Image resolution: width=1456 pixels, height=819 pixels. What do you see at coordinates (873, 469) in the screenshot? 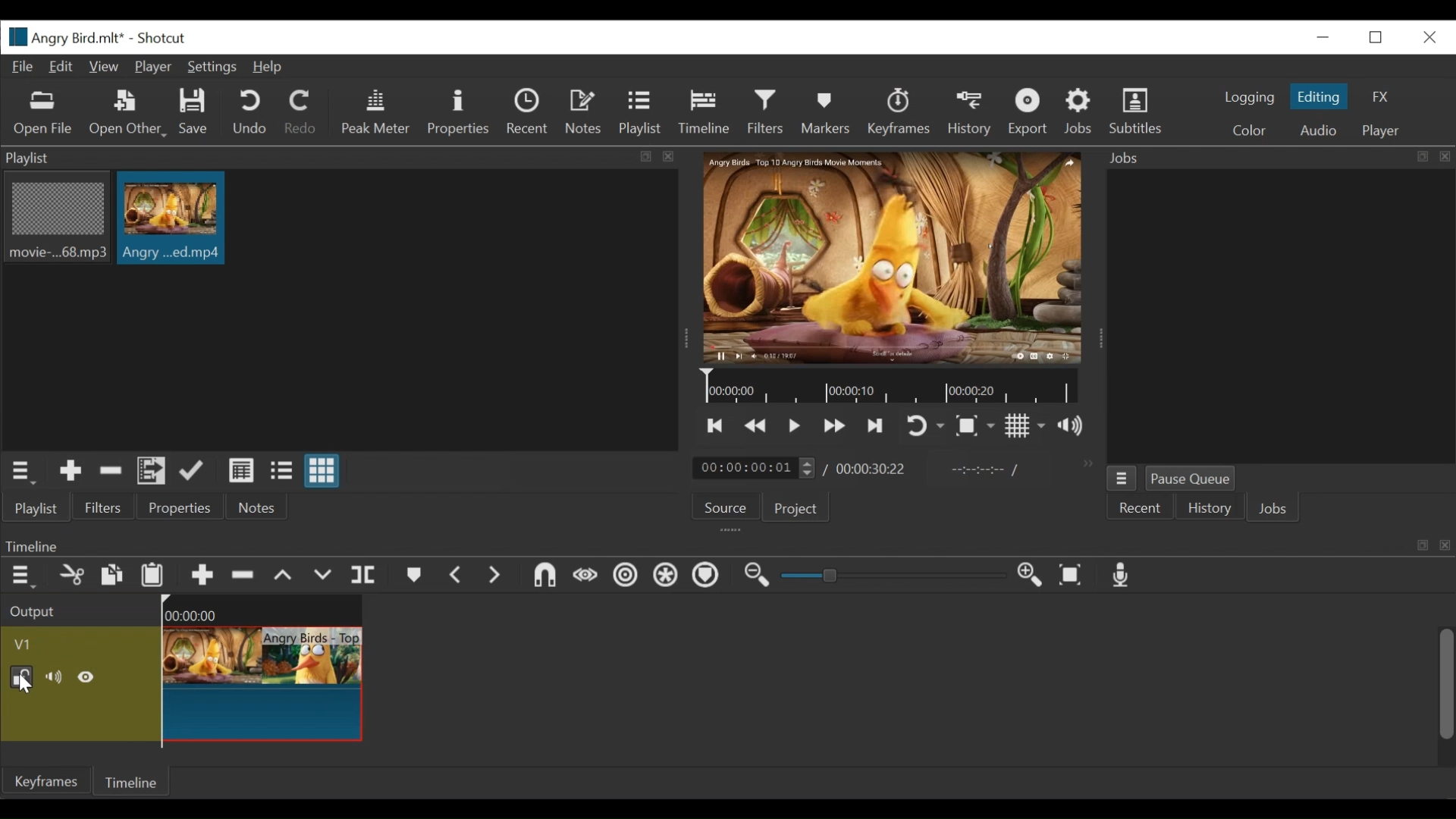
I see `Duration` at bounding box center [873, 469].